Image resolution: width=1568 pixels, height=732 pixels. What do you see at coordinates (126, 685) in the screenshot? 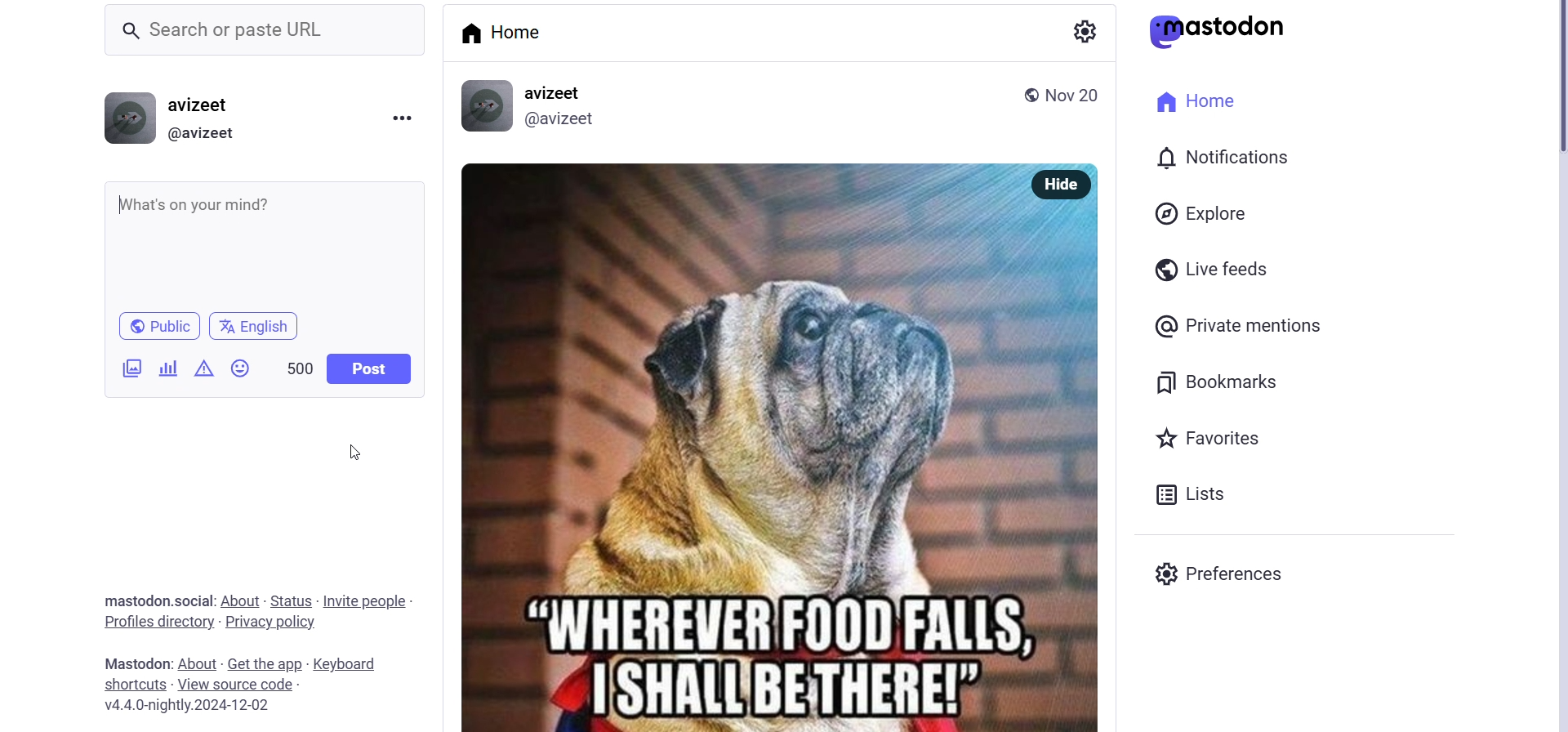
I see `shortcuts` at bounding box center [126, 685].